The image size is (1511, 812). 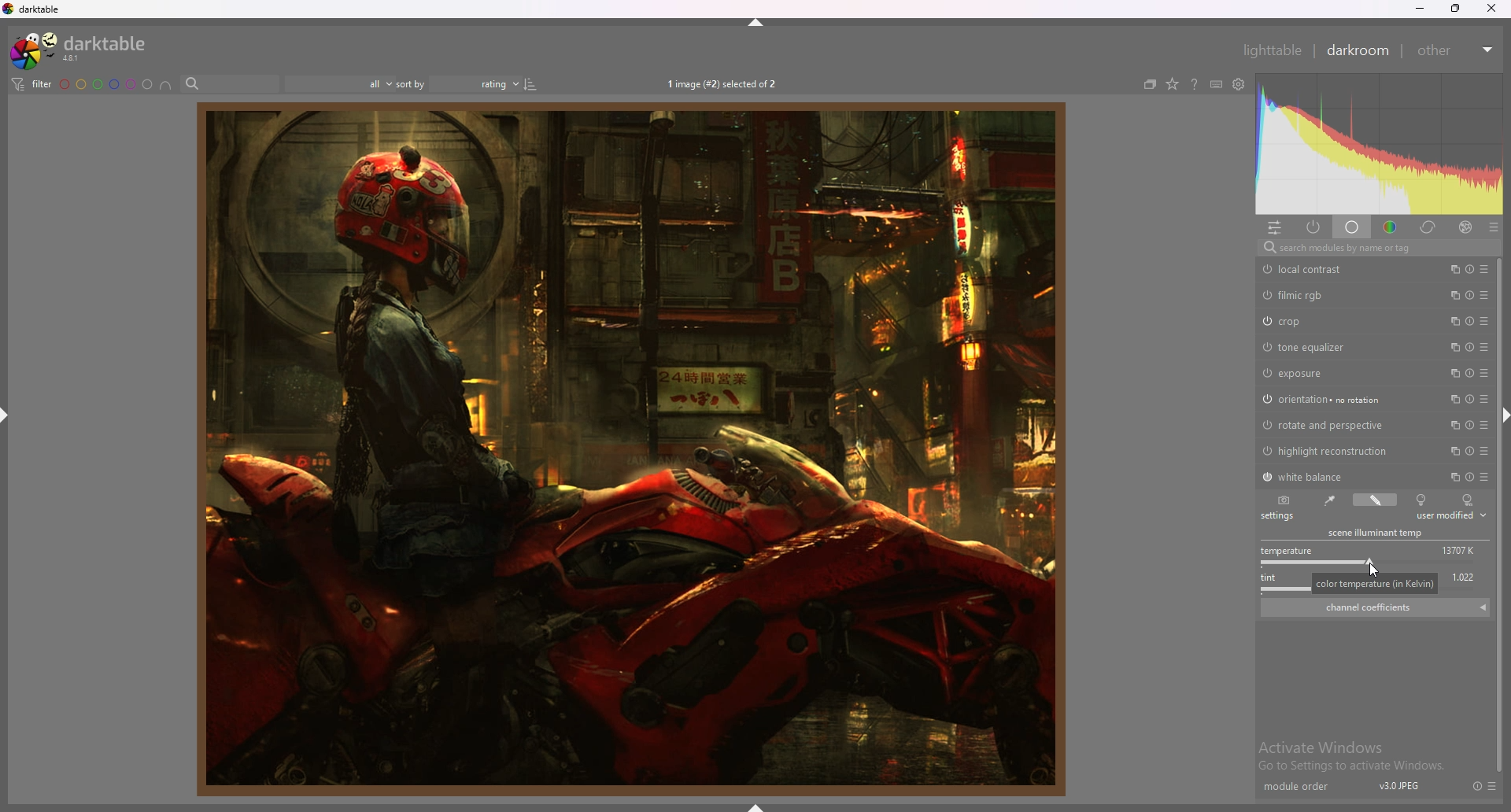 I want to click on tone equalizer, so click(x=1316, y=347).